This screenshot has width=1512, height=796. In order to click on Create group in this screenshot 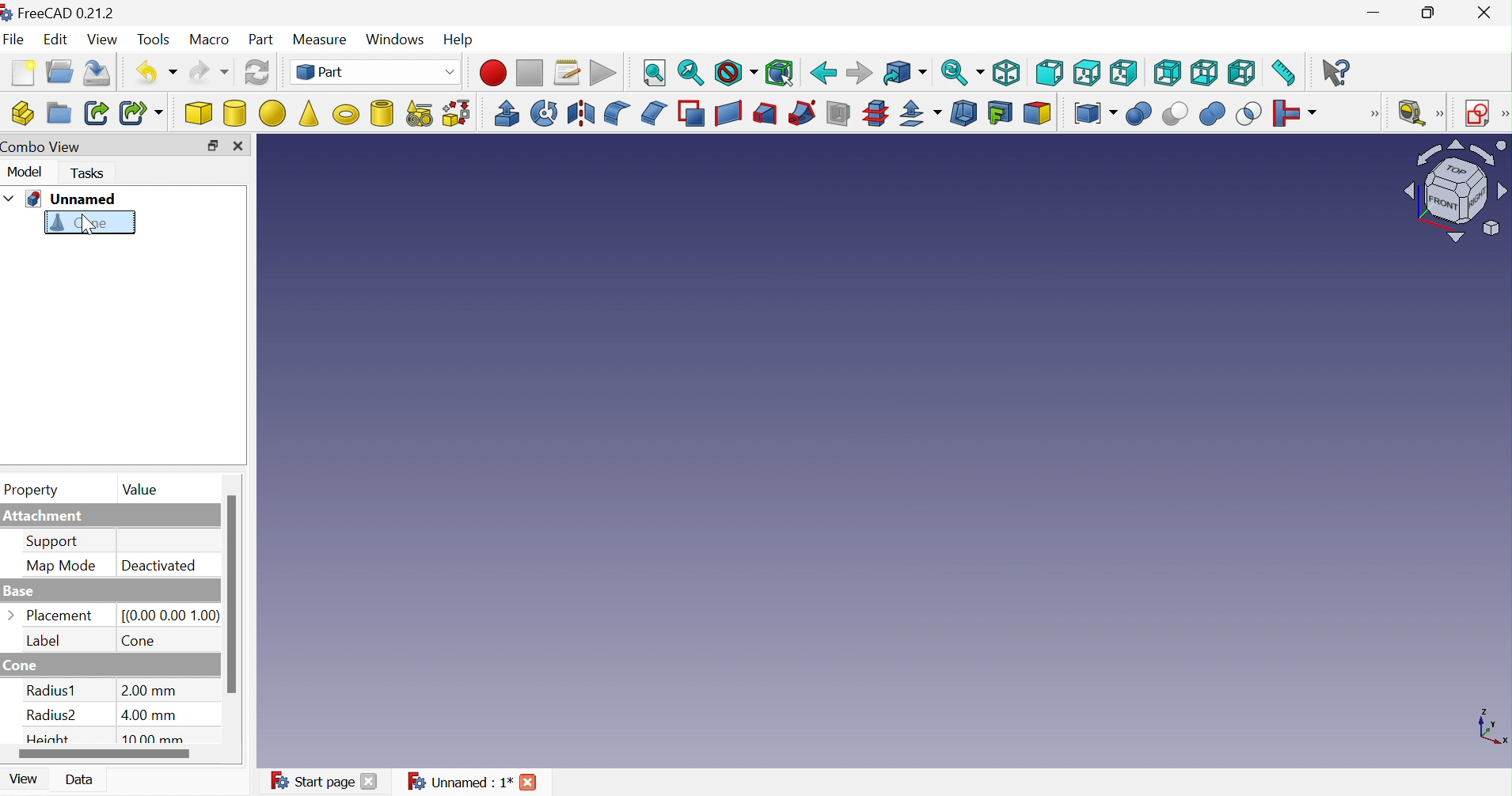, I will do `click(58, 112)`.